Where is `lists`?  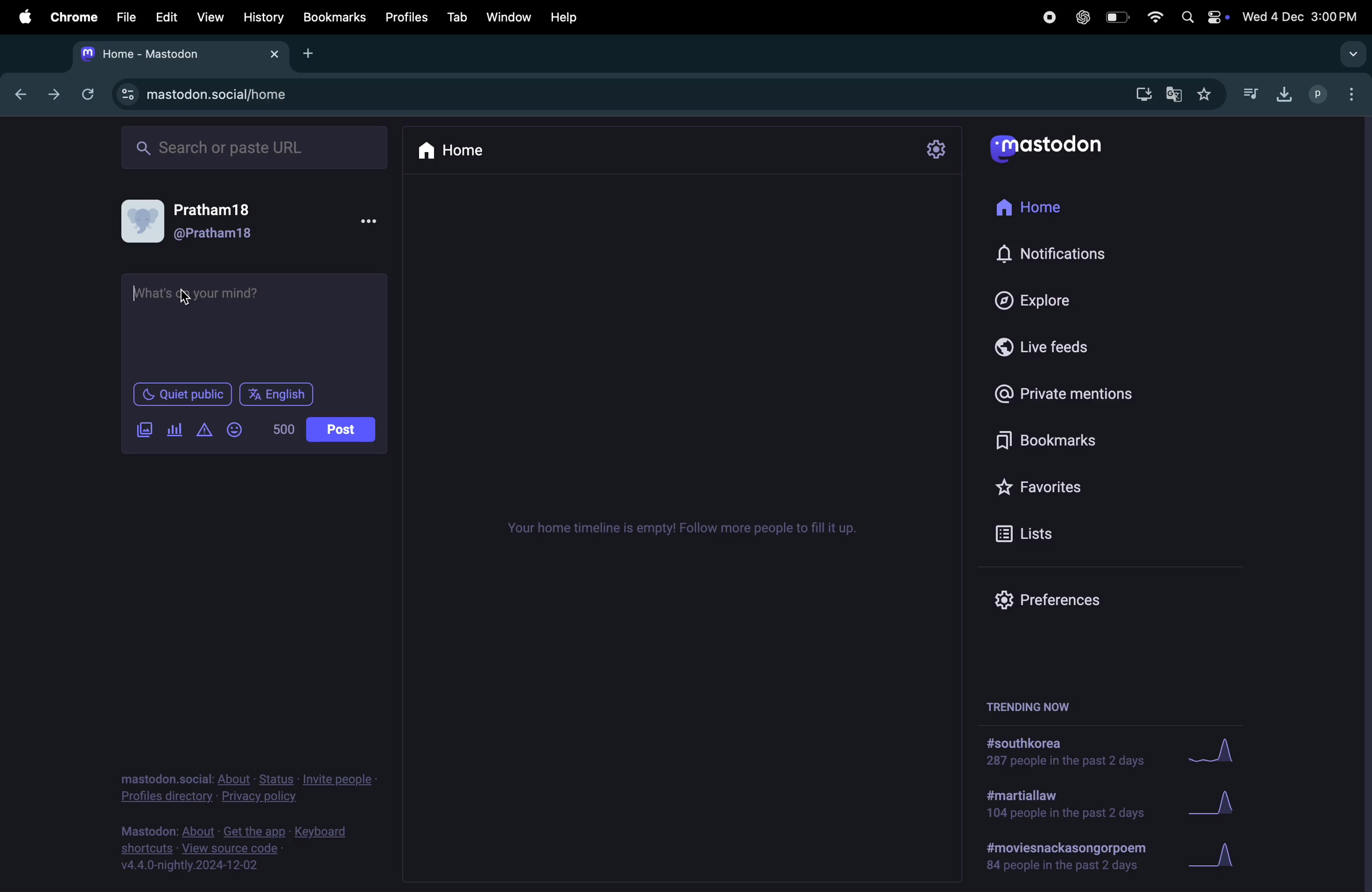
lists is located at coordinates (1034, 531).